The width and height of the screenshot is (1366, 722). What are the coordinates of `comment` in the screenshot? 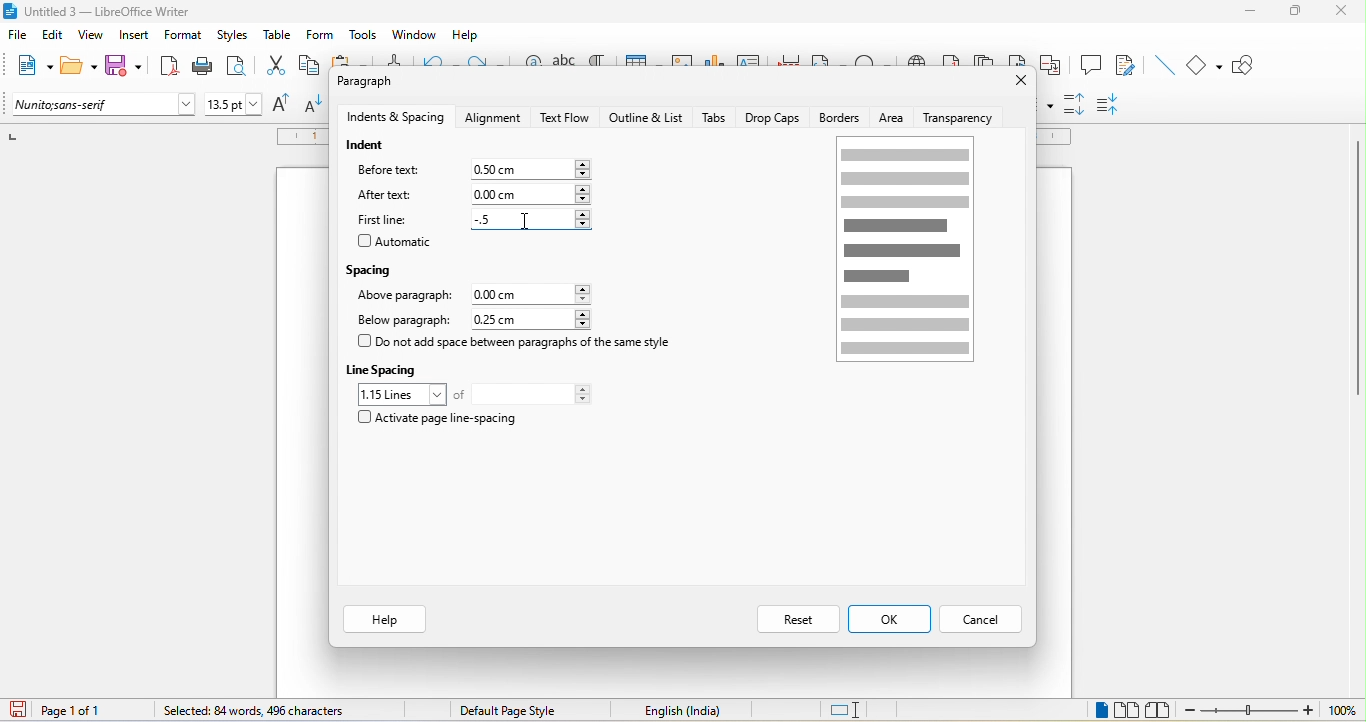 It's located at (1091, 63).